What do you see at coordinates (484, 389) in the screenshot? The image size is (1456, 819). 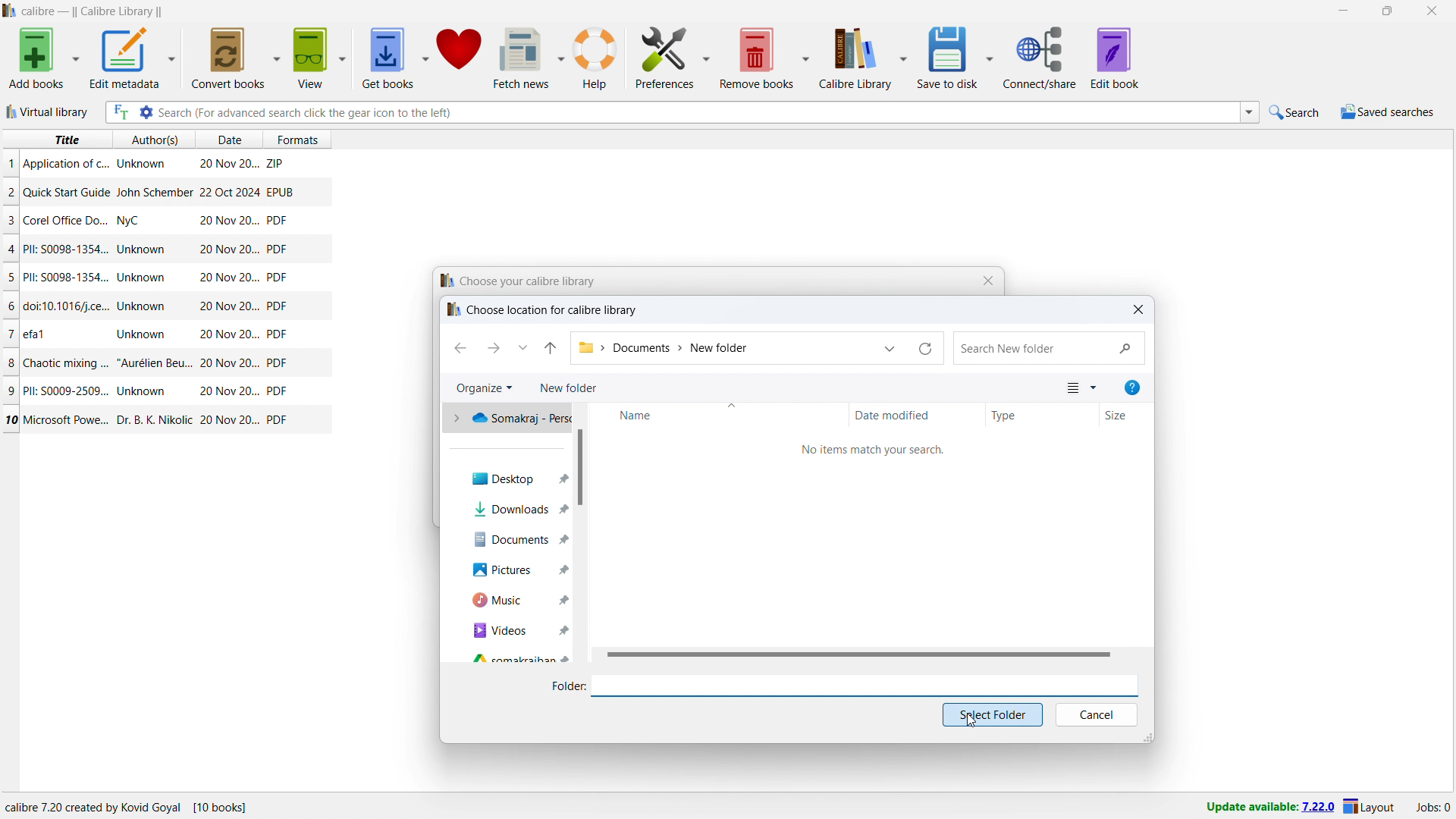 I see `organize` at bounding box center [484, 389].